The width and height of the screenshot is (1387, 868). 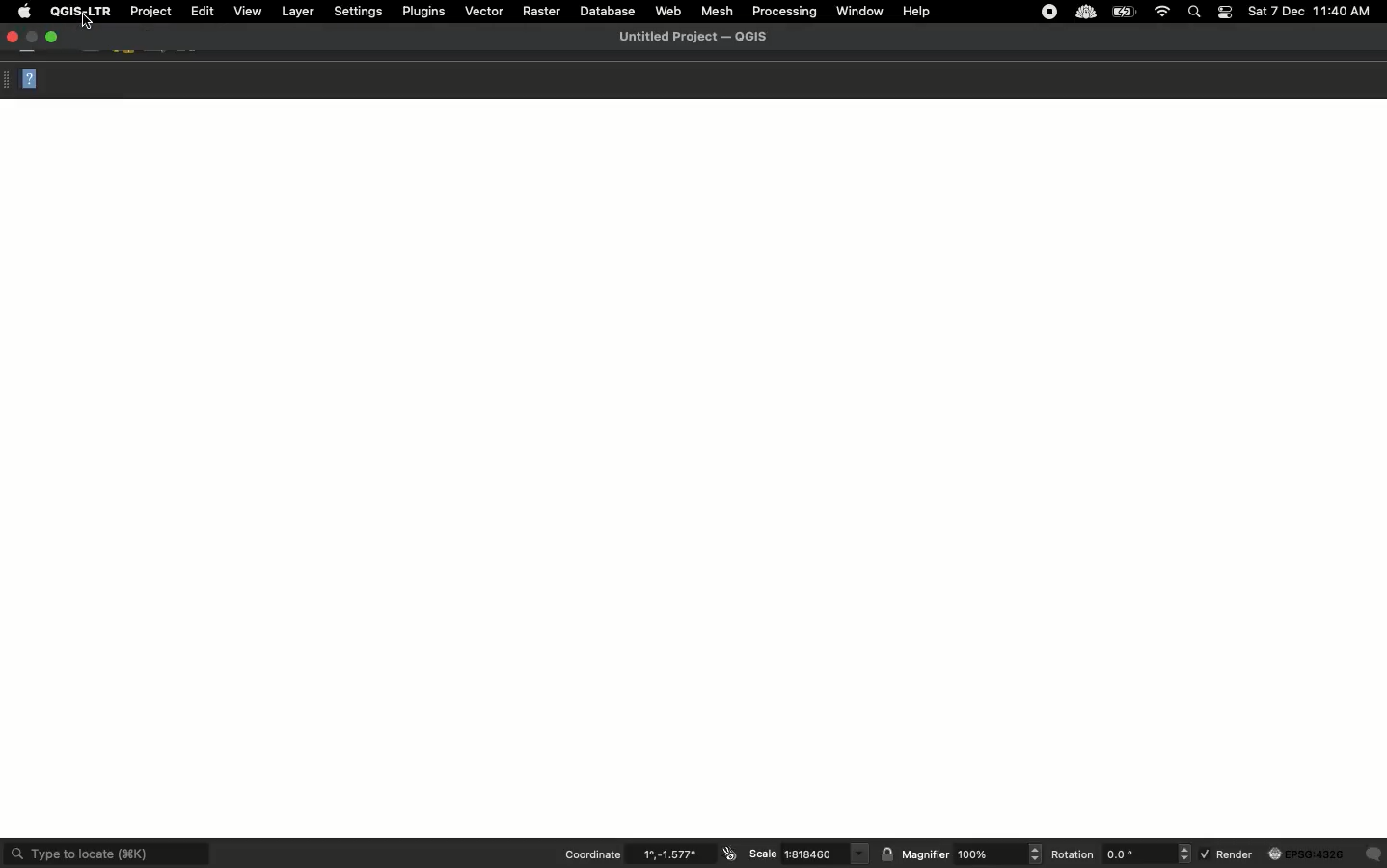 What do you see at coordinates (786, 12) in the screenshot?
I see `Processing` at bounding box center [786, 12].